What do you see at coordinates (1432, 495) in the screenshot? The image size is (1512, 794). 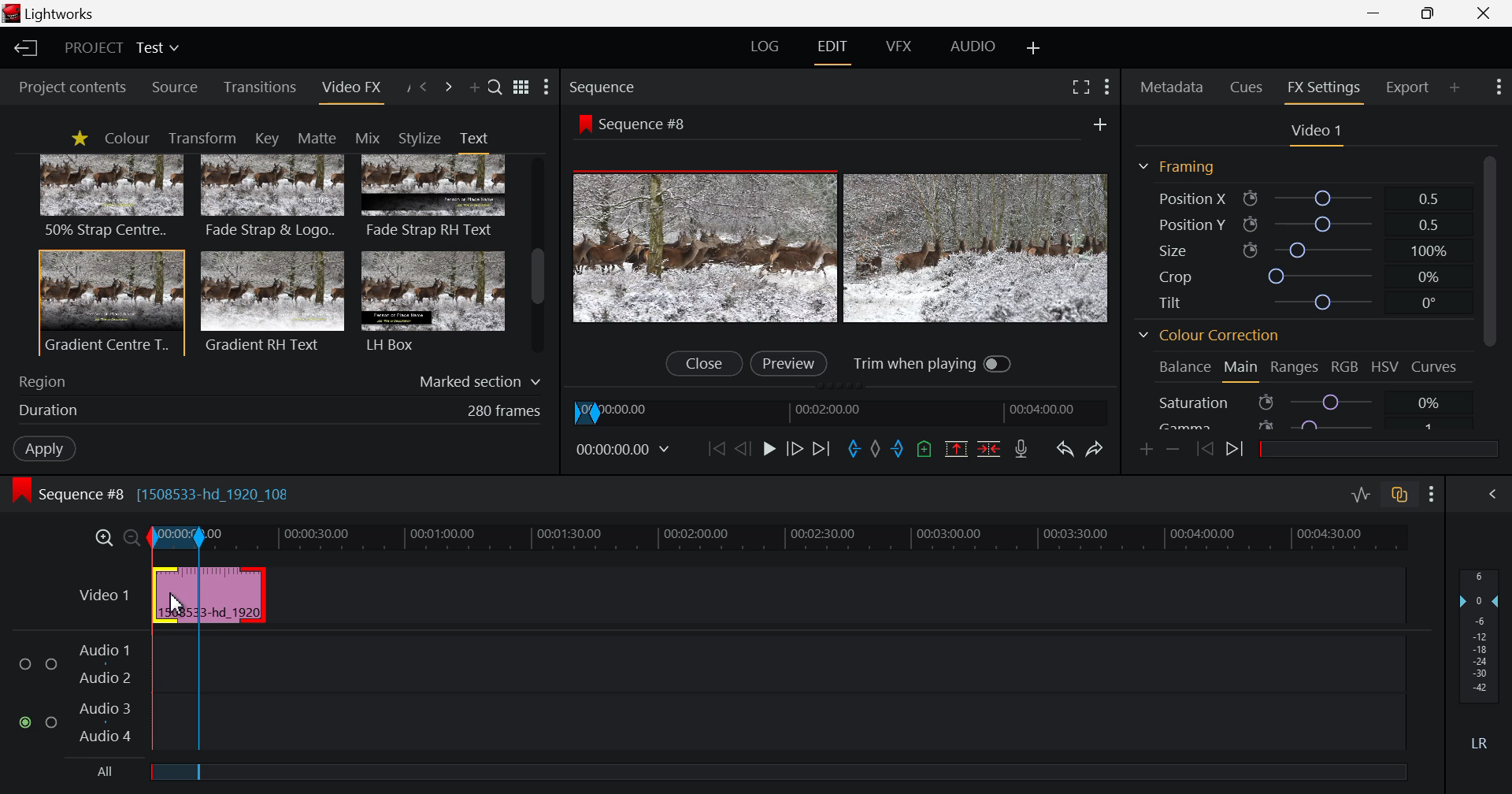 I see `Settings` at bounding box center [1432, 495].